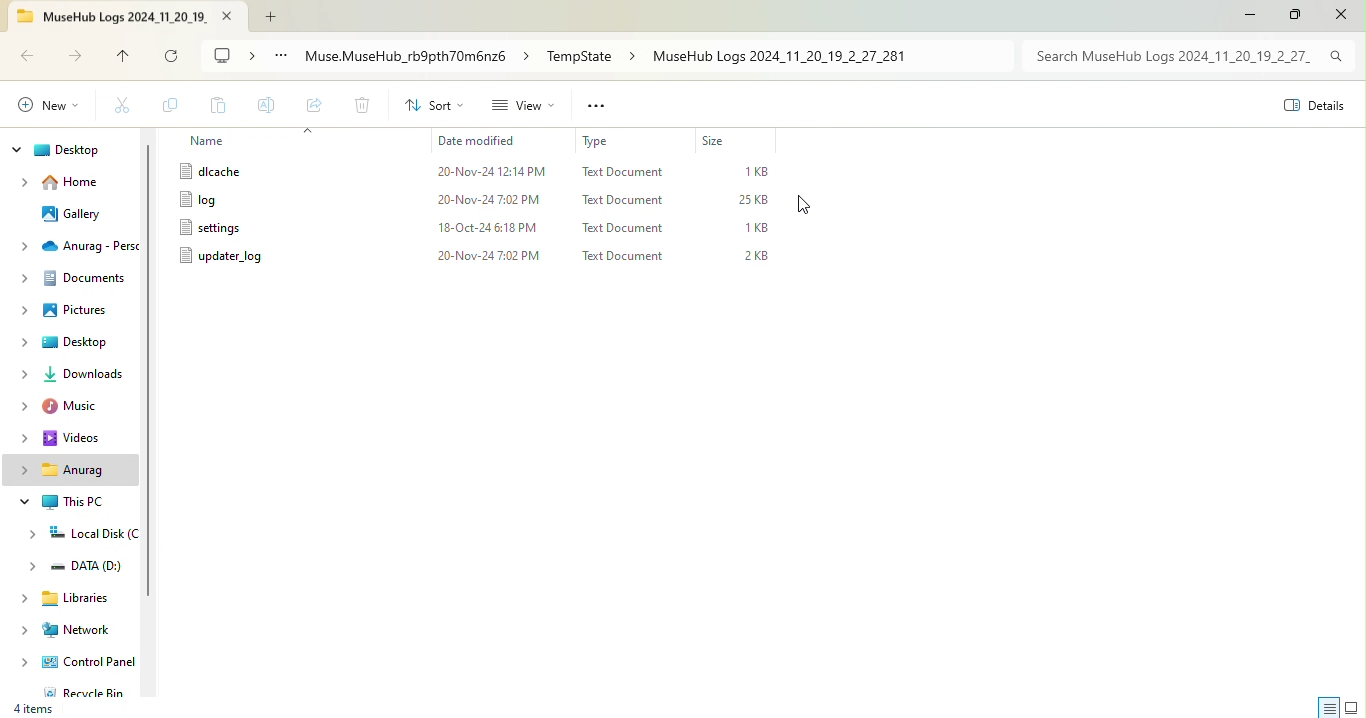  I want to click on See more, so click(280, 54).